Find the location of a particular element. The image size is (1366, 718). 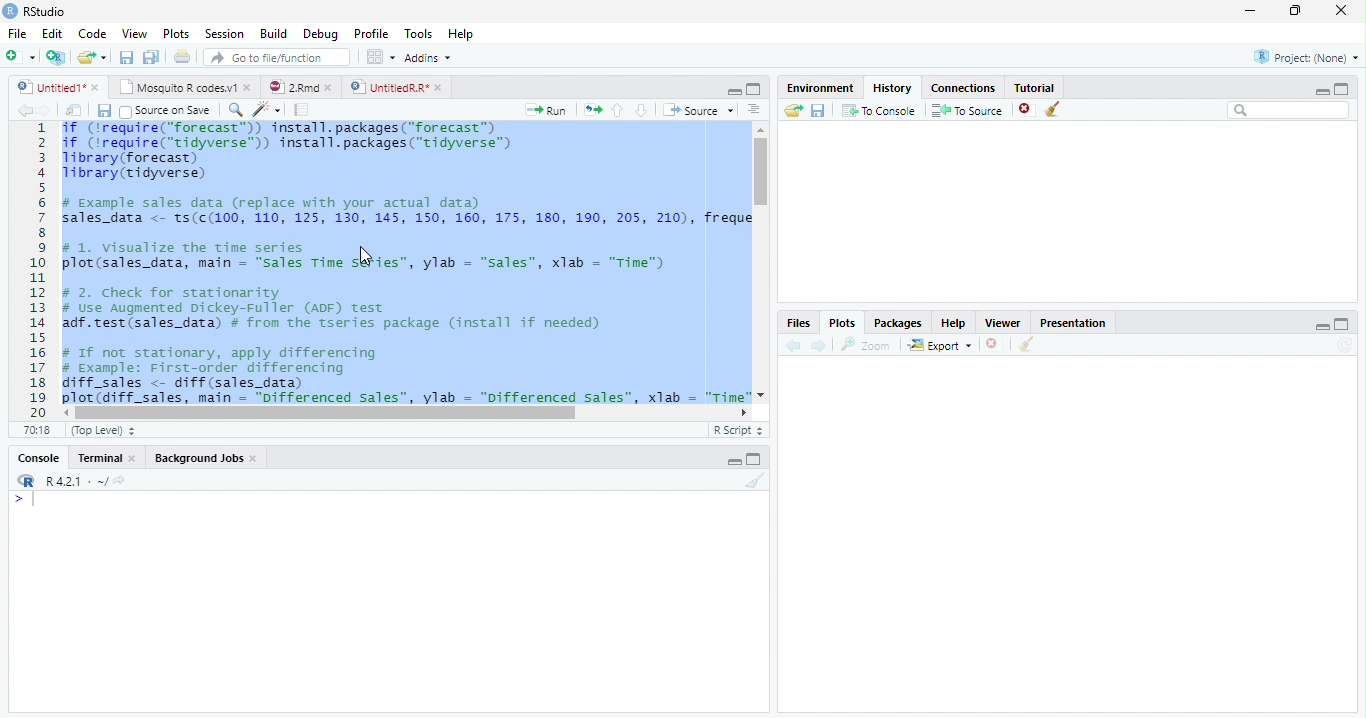

# Example sales data (replace with your actual data)
sales_data <- ts(c(100, 110, 125, 130, 145, 150, 160, 175, 180, 190, 205, 210), freque is located at coordinates (408, 213).